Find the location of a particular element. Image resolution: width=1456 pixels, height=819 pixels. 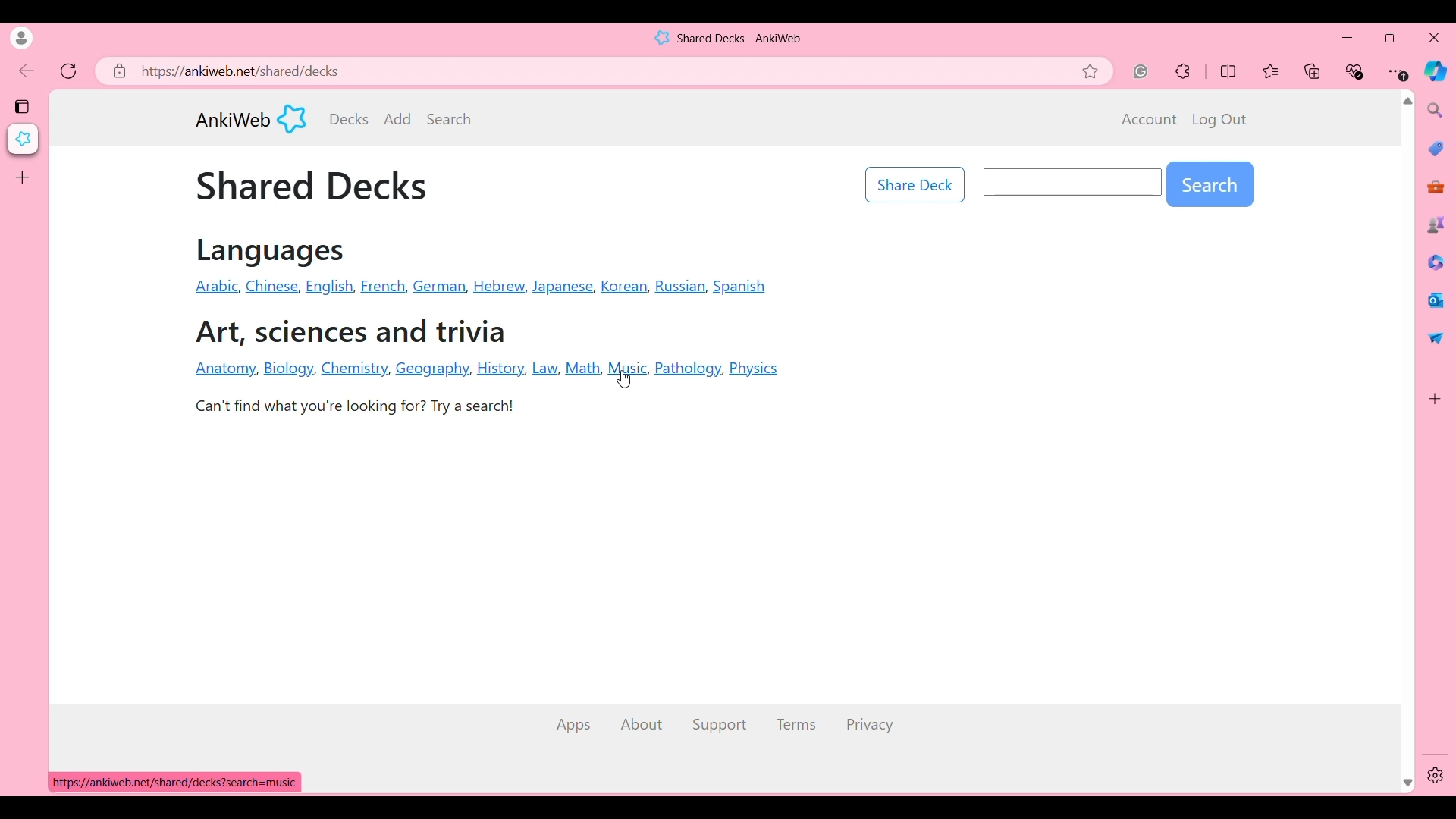

Current tab is located at coordinates (24, 139).